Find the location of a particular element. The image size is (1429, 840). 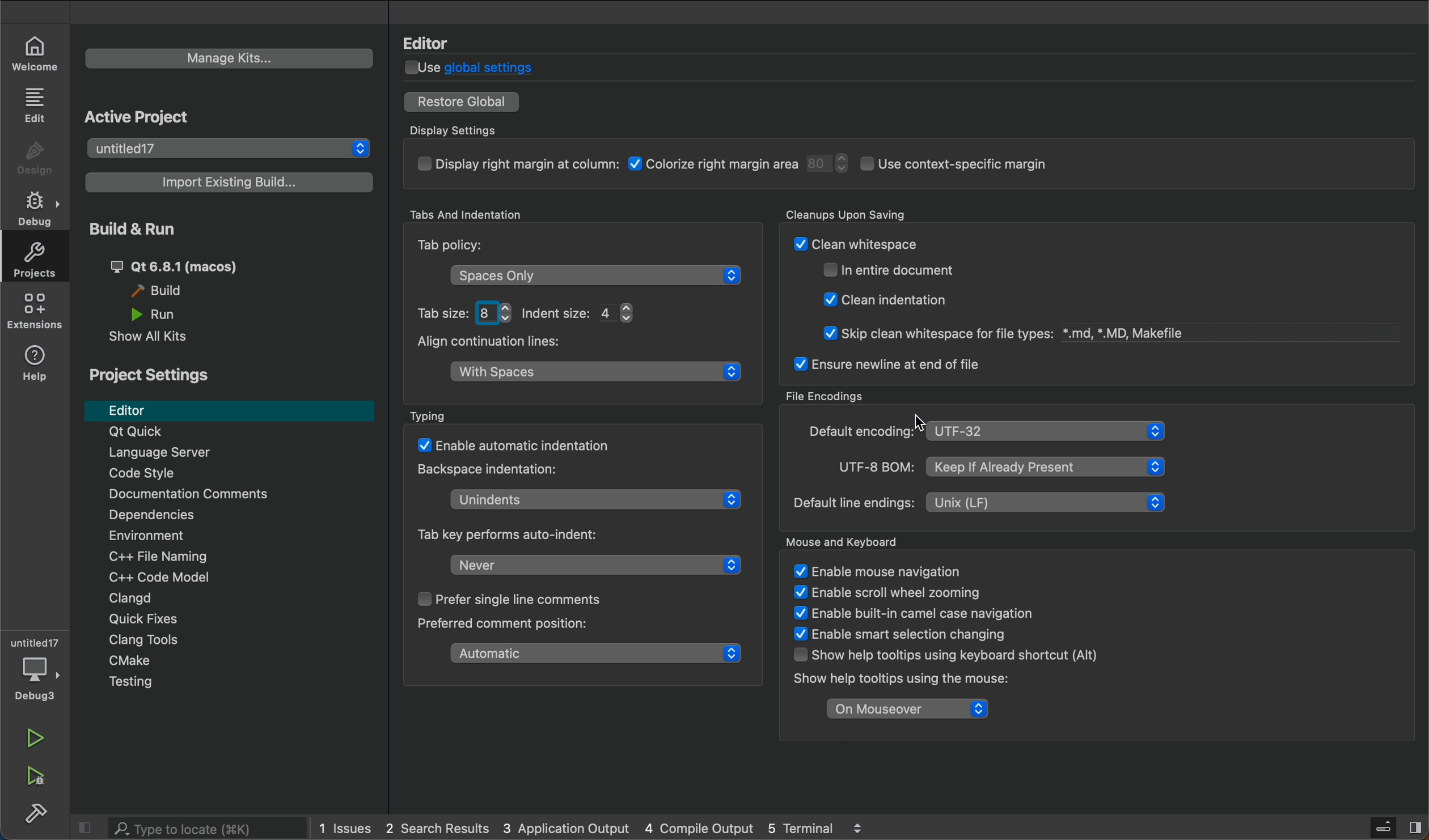

Editor is located at coordinates (434, 39).